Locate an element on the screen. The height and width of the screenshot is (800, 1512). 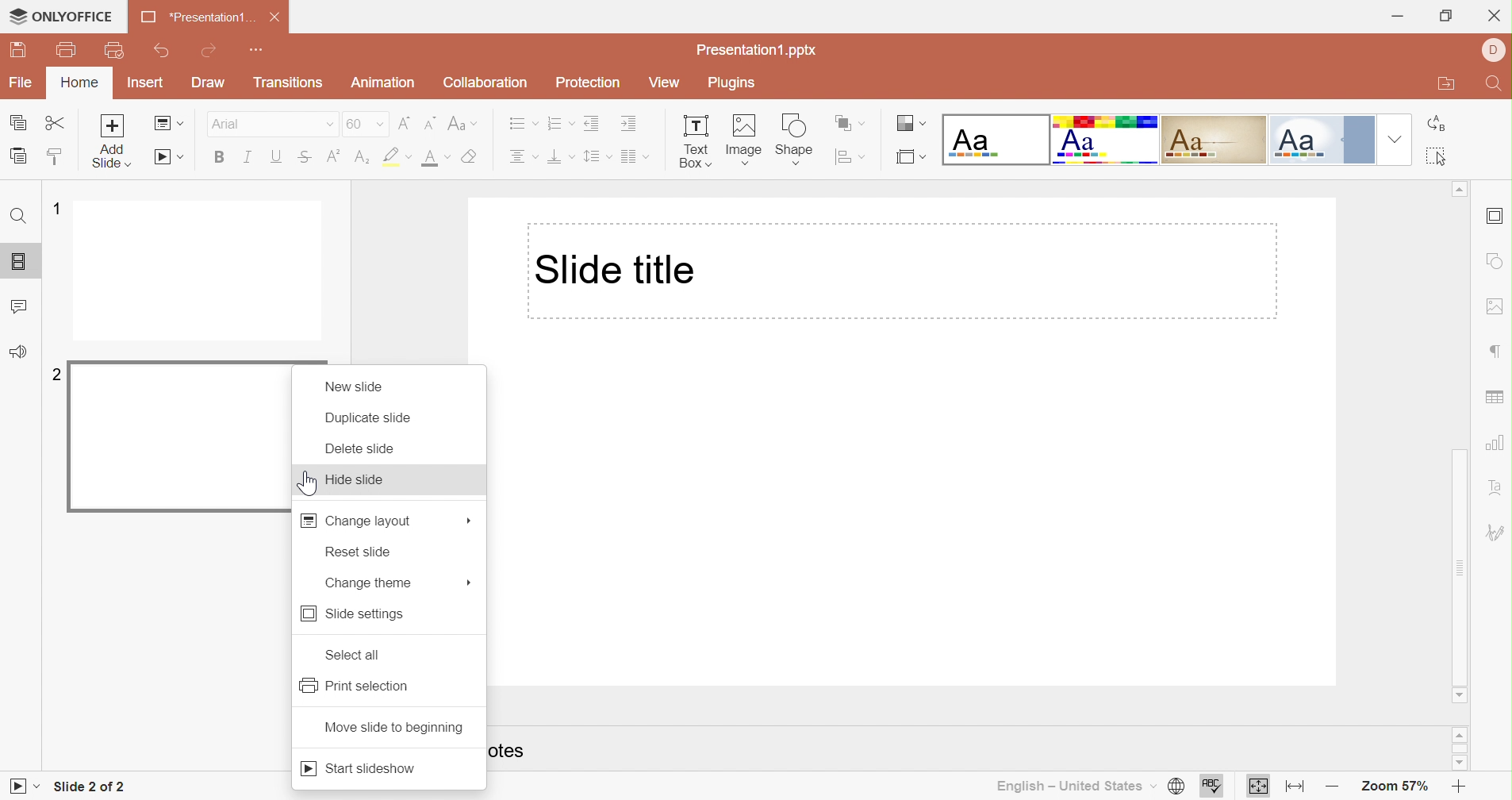
Drop Down is located at coordinates (325, 125).